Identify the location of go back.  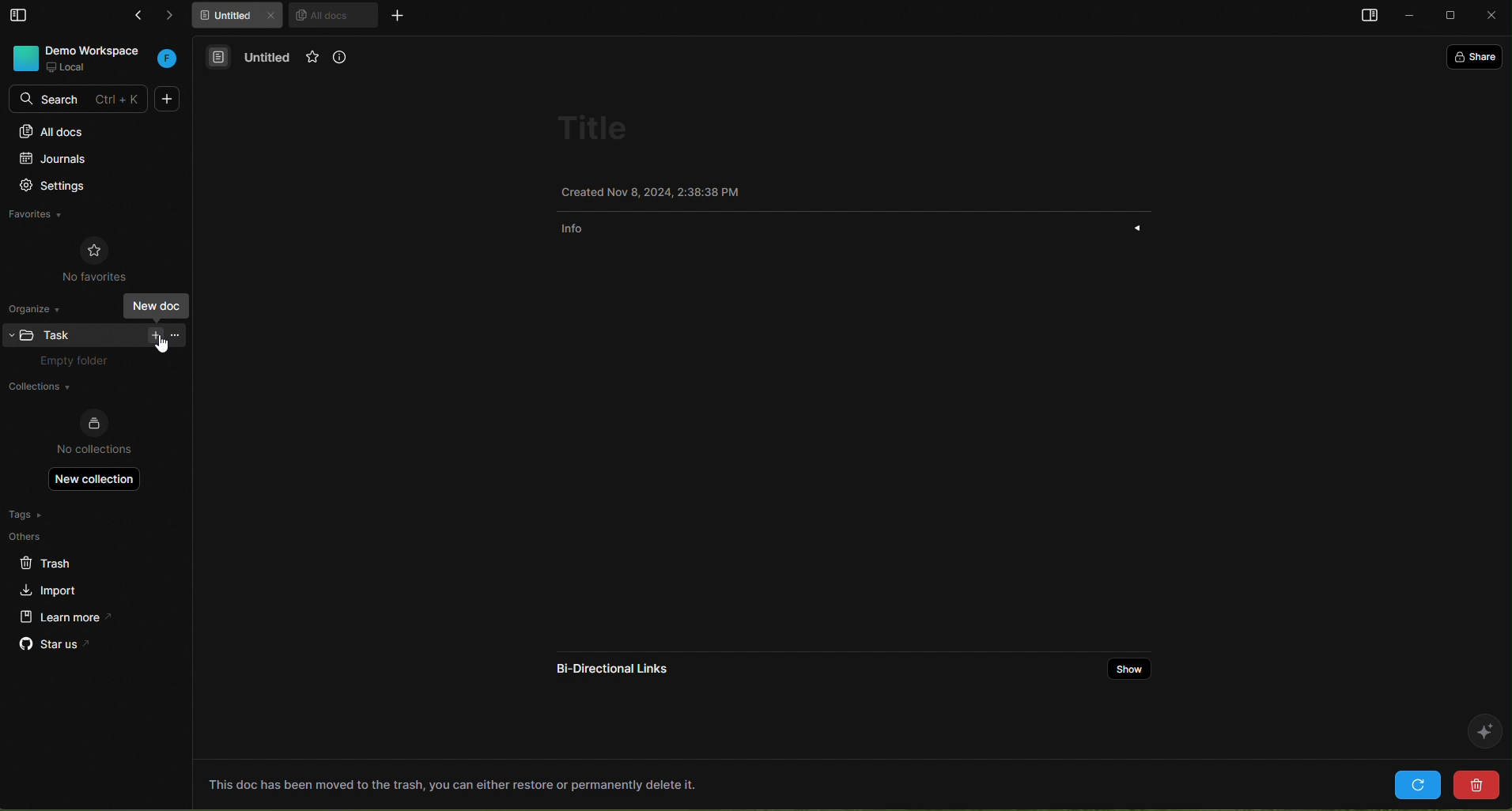
(134, 18).